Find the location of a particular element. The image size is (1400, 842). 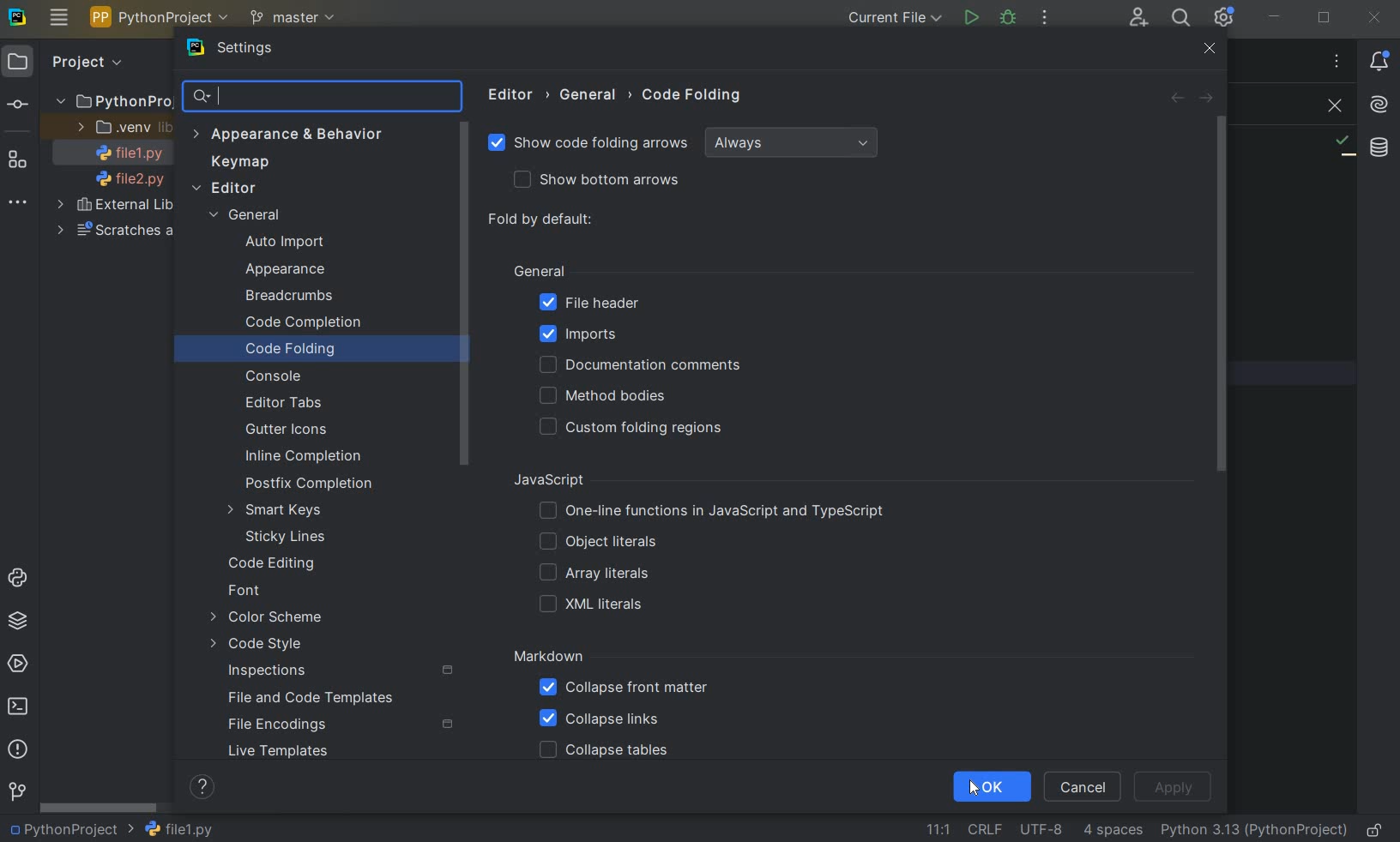

NOTIFICATIONS is located at coordinates (1379, 62).